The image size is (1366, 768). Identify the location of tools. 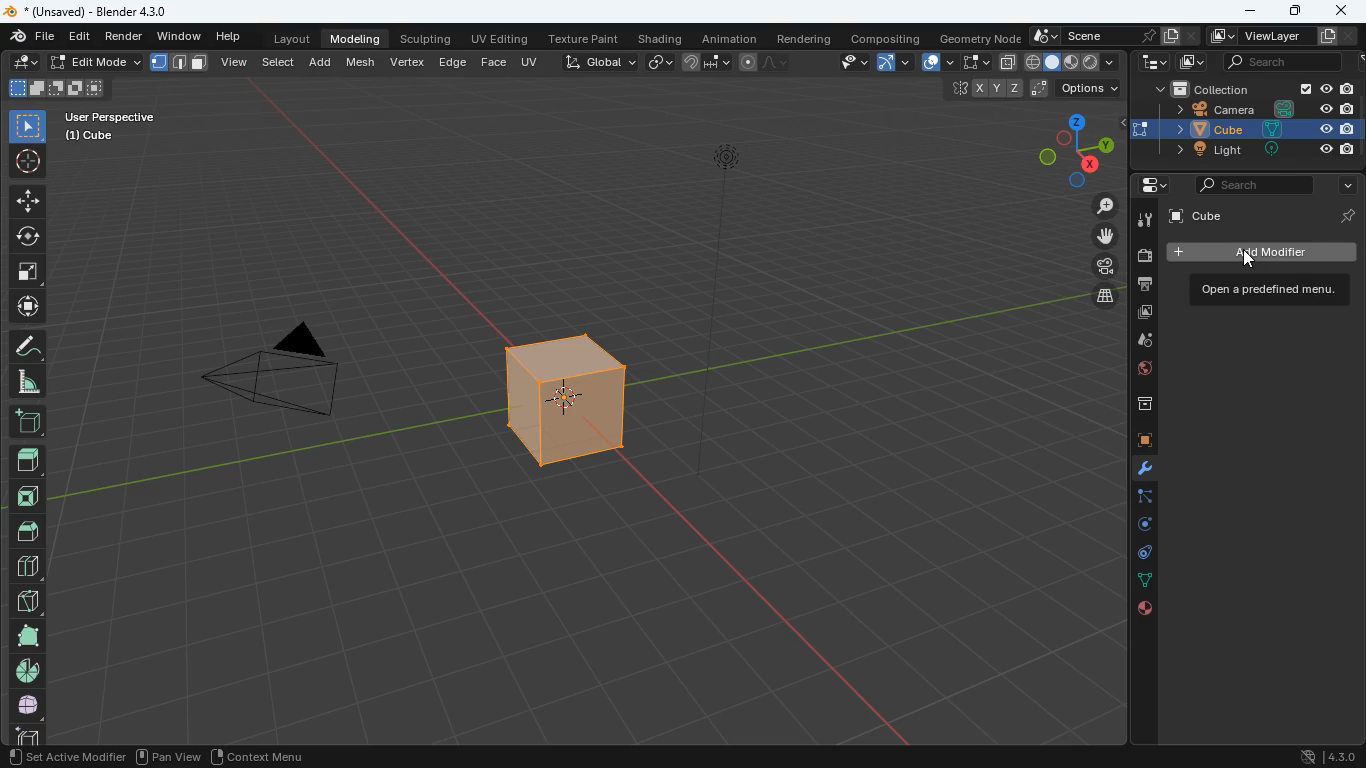
(1142, 220).